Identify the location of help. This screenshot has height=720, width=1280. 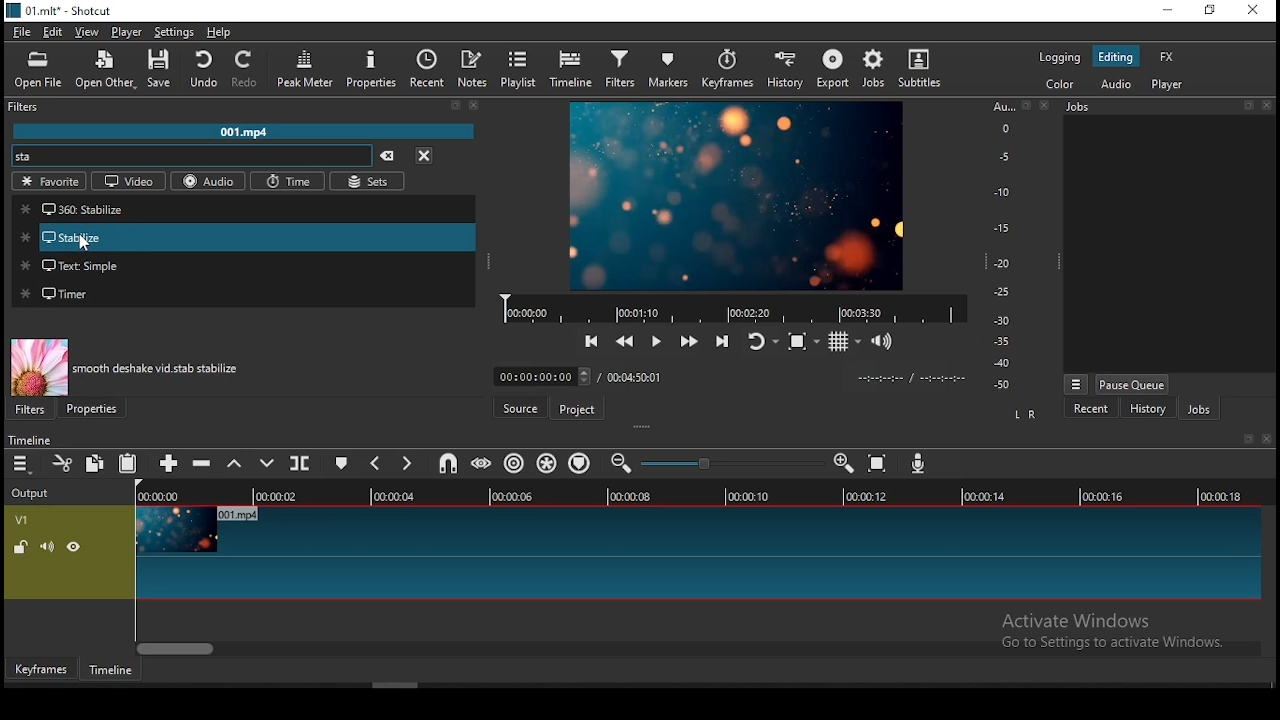
(223, 31).